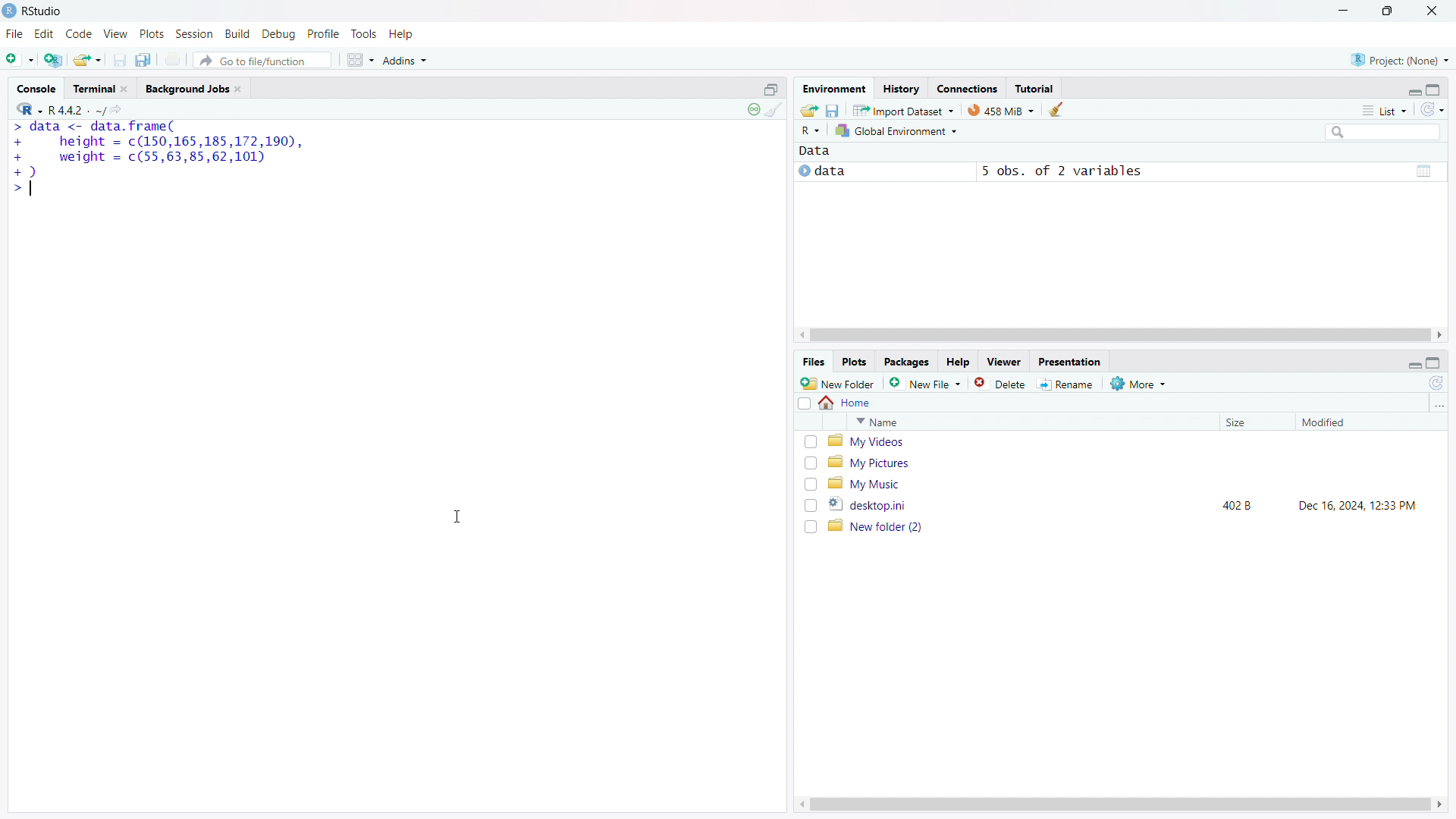  What do you see at coordinates (1432, 11) in the screenshot?
I see `close` at bounding box center [1432, 11].